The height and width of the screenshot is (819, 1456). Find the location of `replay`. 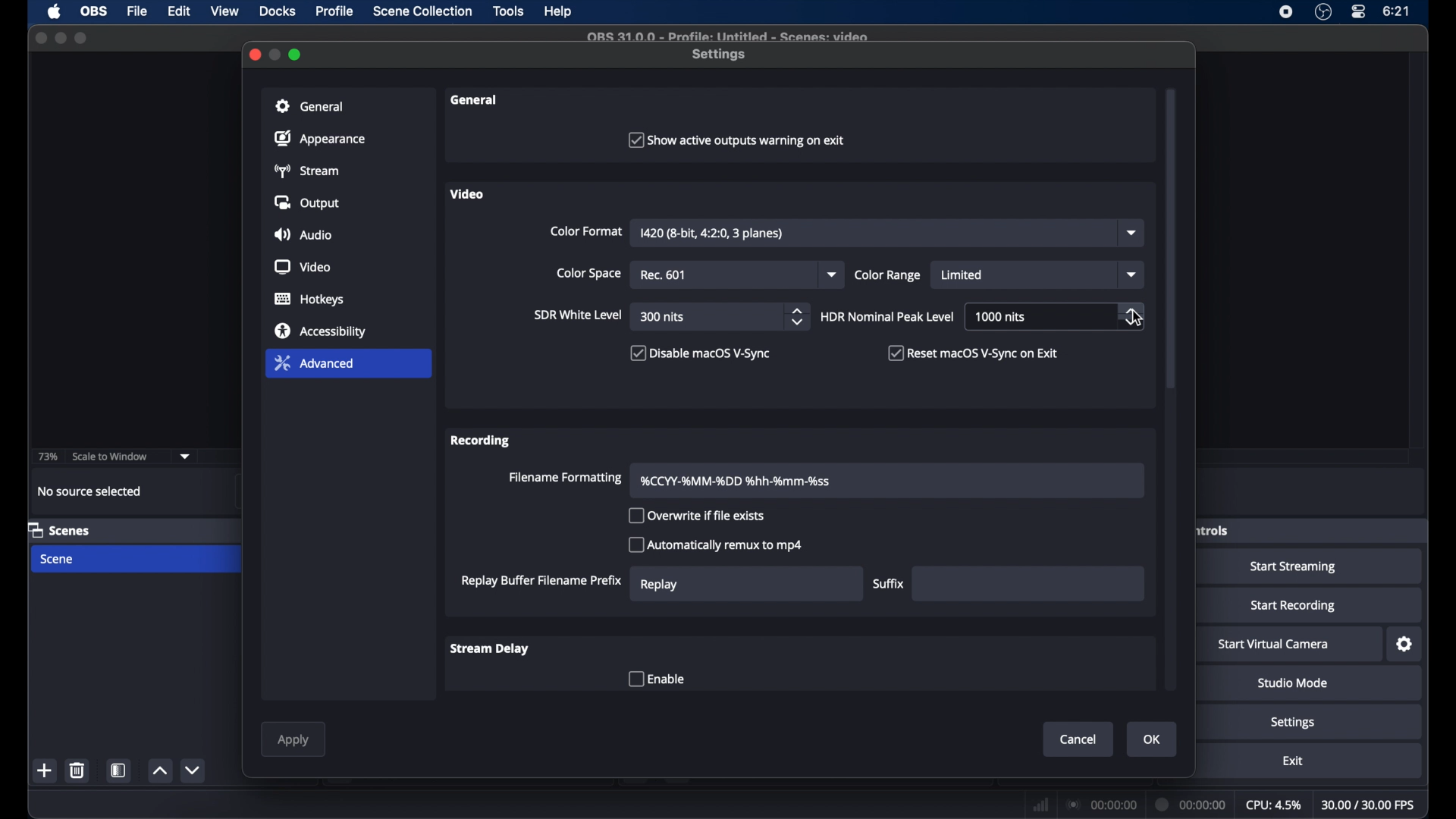

replay is located at coordinates (658, 585).